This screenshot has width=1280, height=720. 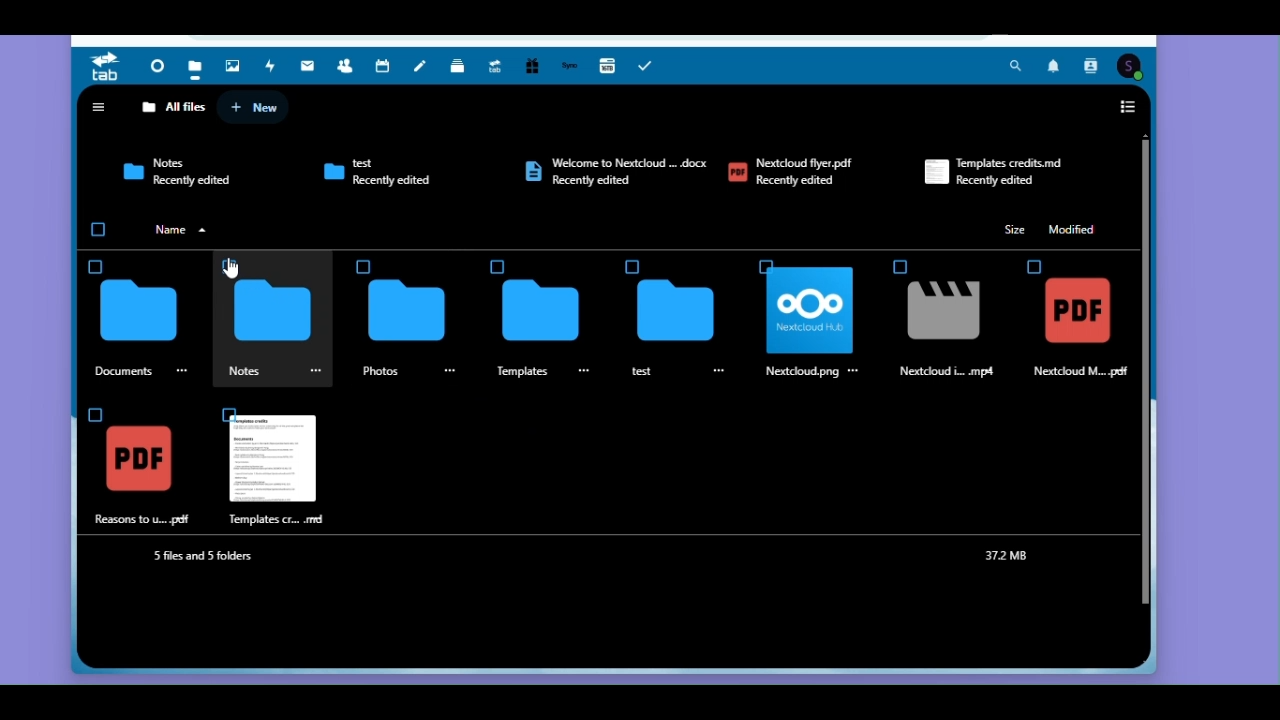 I want to click on Nextdoud M... pdf, so click(x=1086, y=372).